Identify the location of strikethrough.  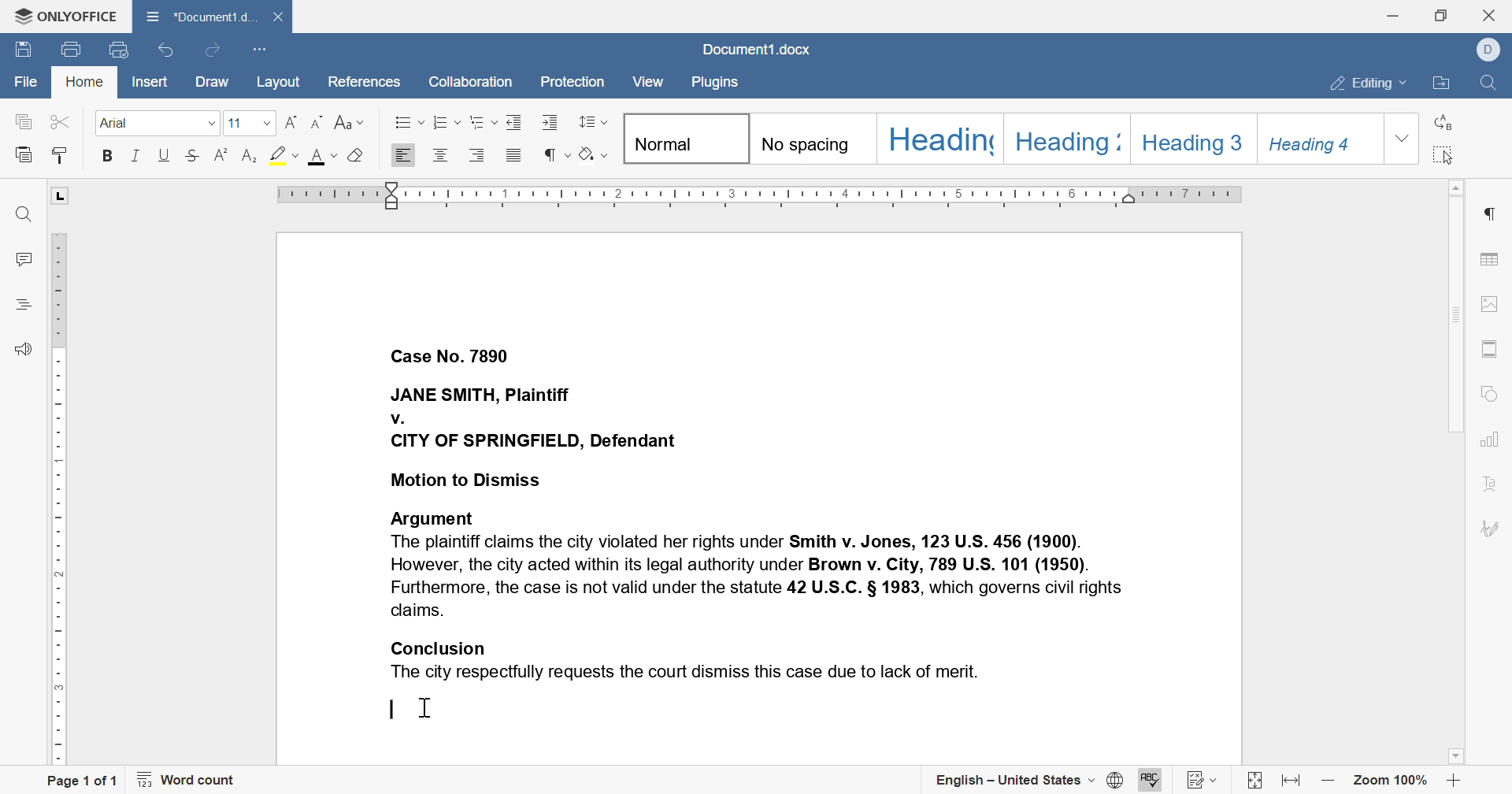
(223, 156).